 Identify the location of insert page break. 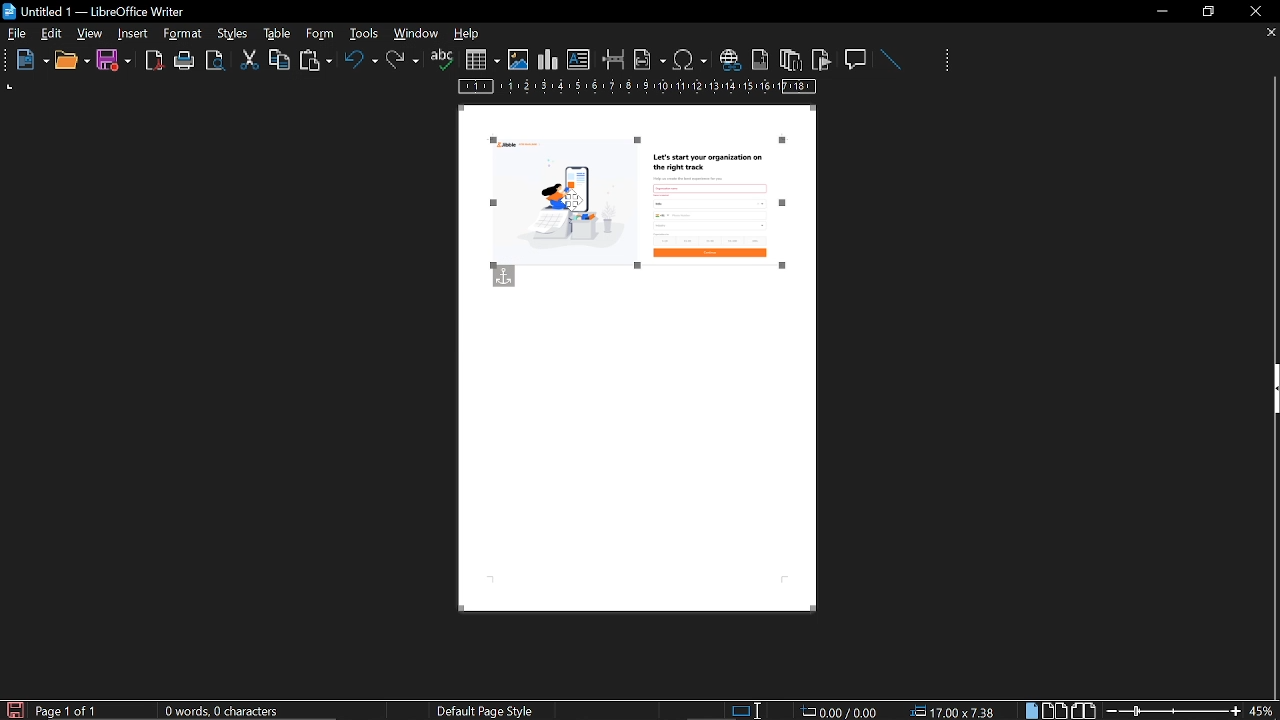
(614, 60).